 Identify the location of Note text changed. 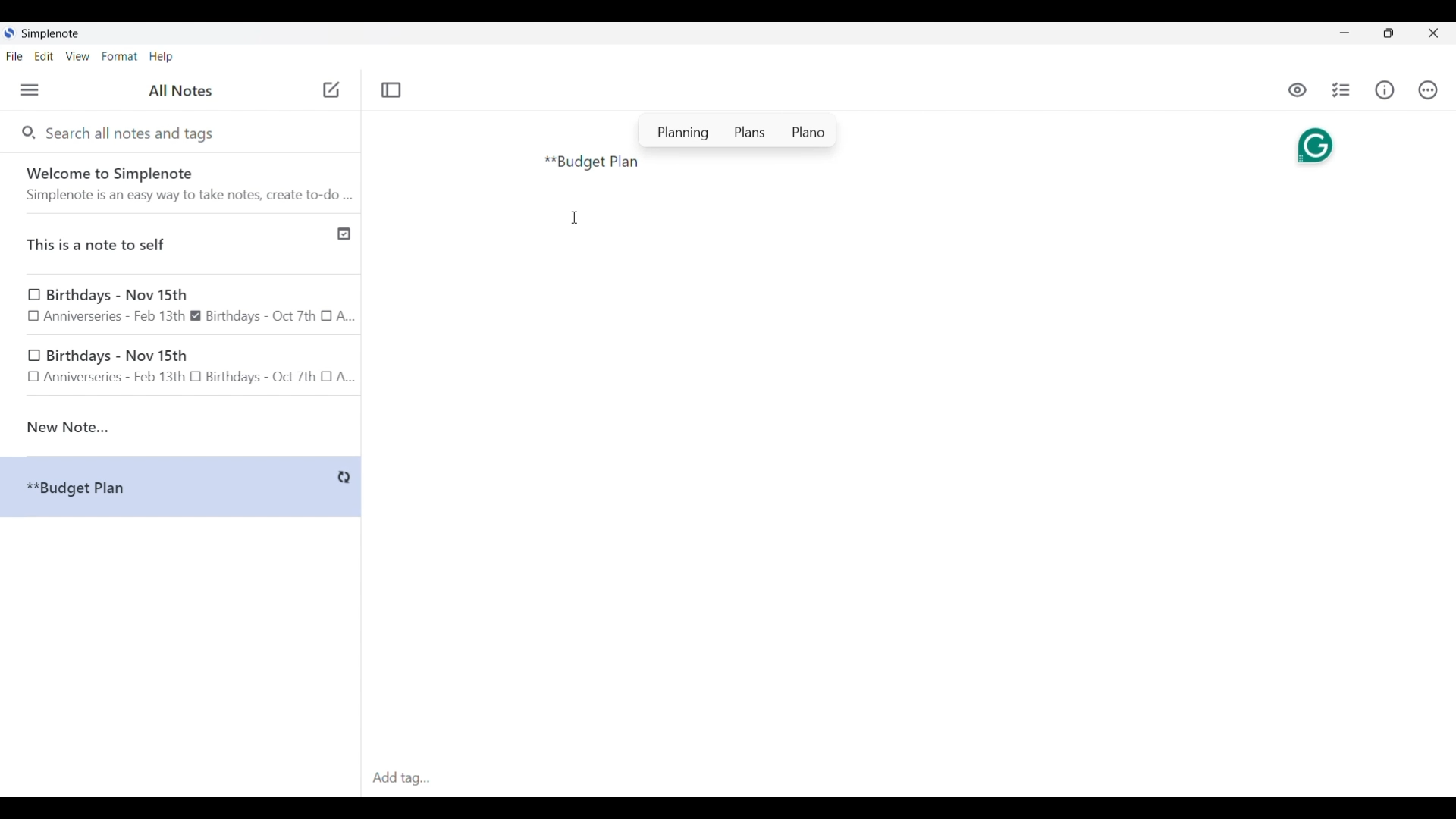
(180, 487).